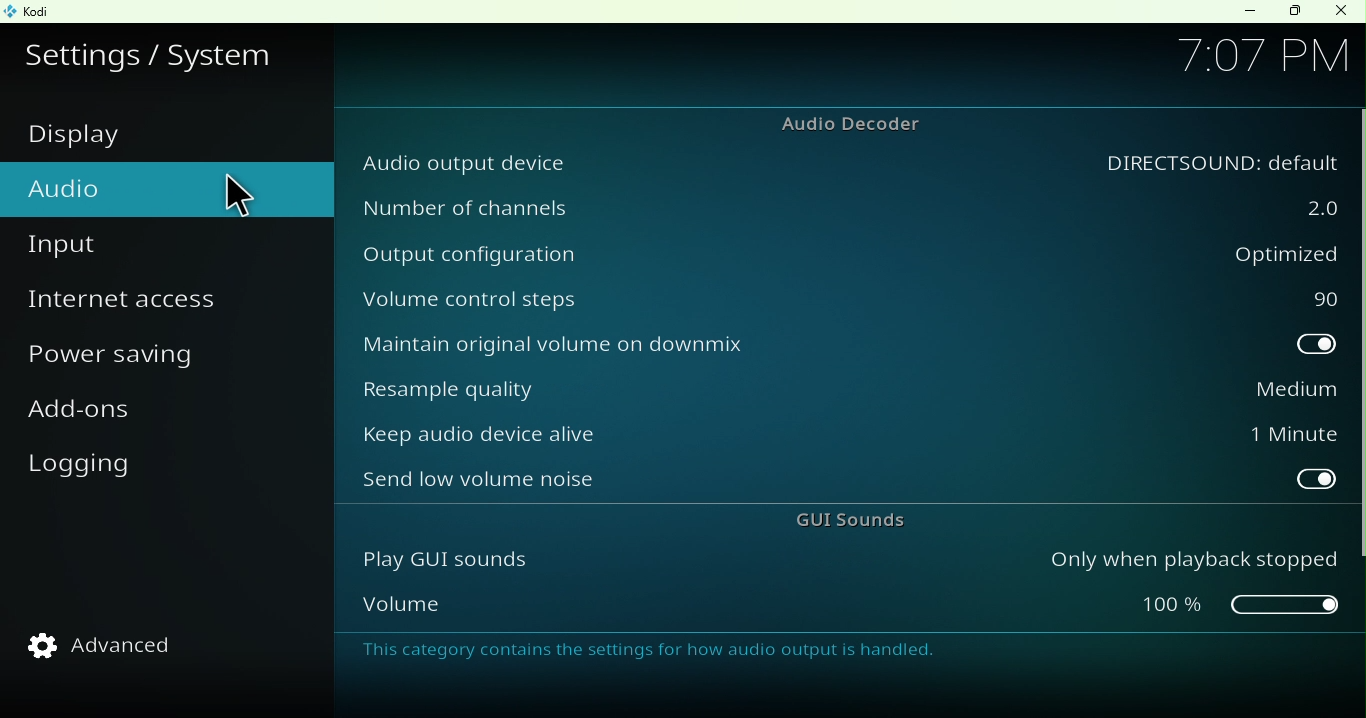  I want to click on 1 Minute, so click(1225, 436).